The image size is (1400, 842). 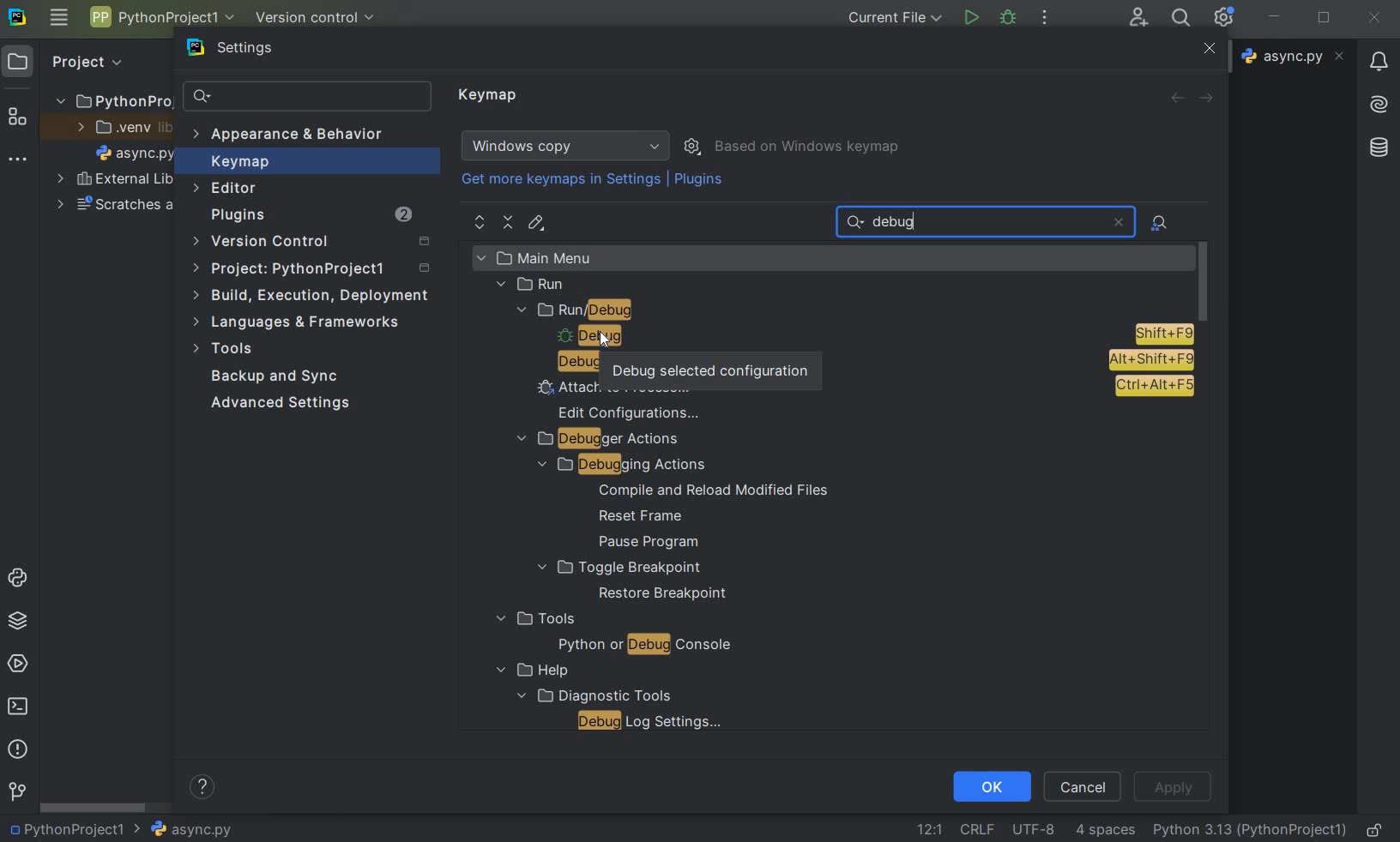 I want to click on appearance & behavior, so click(x=298, y=136).